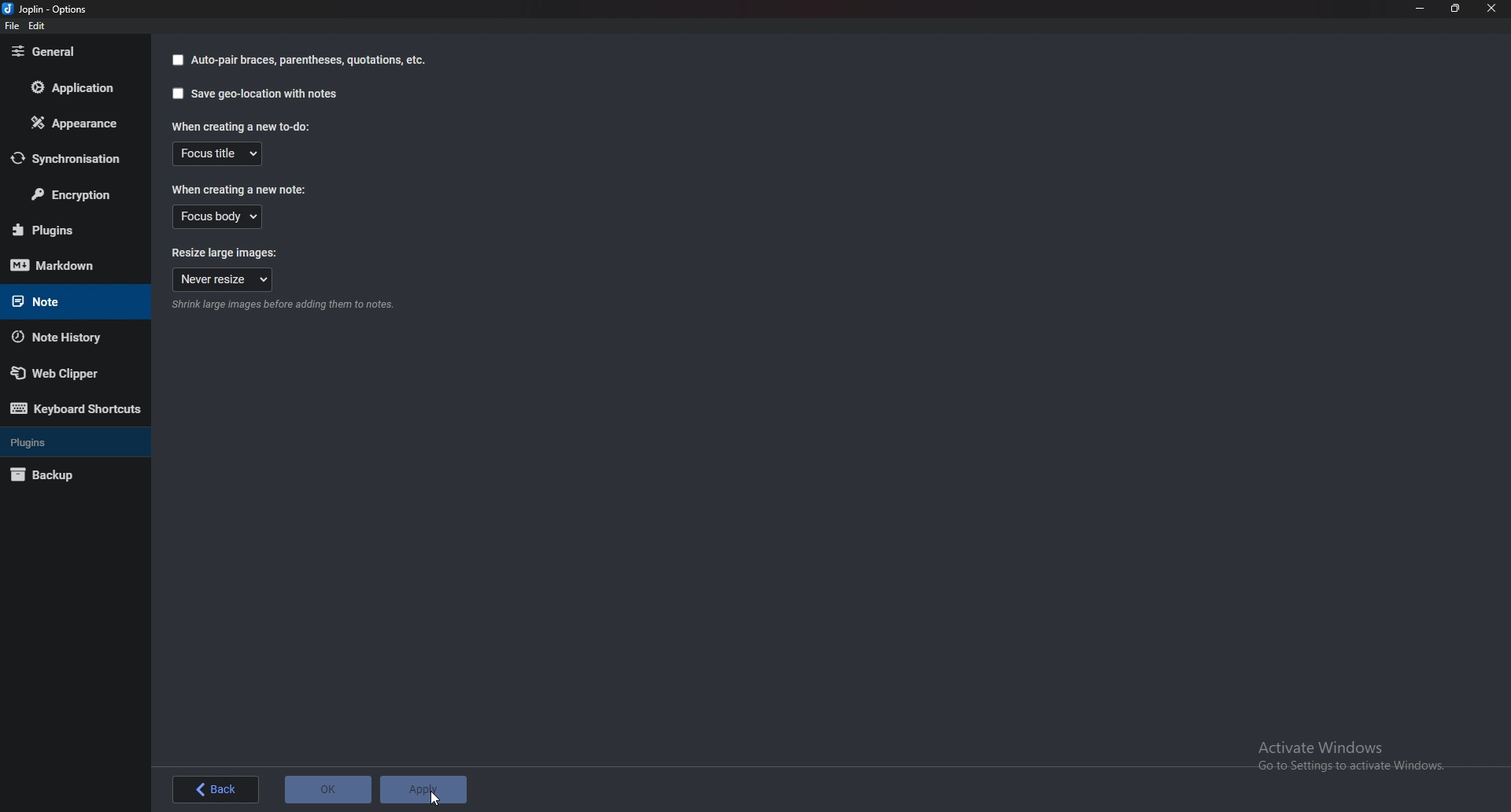 Image resolution: width=1511 pixels, height=812 pixels. Describe the element at coordinates (238, 126) in the screenshot. I see `When creating a new todo` at that location.